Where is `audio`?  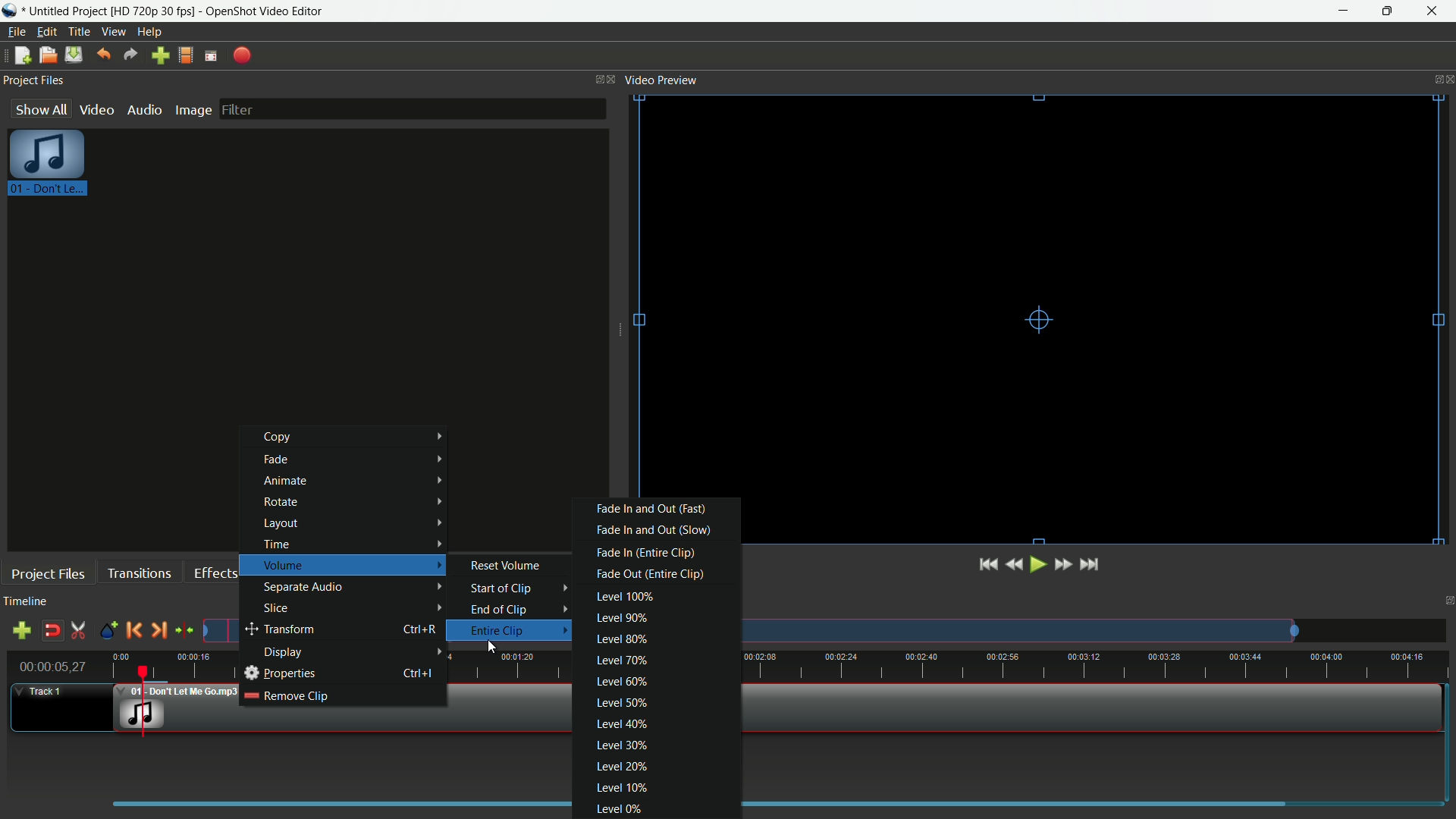
audio is located at coordinates (143, 109).